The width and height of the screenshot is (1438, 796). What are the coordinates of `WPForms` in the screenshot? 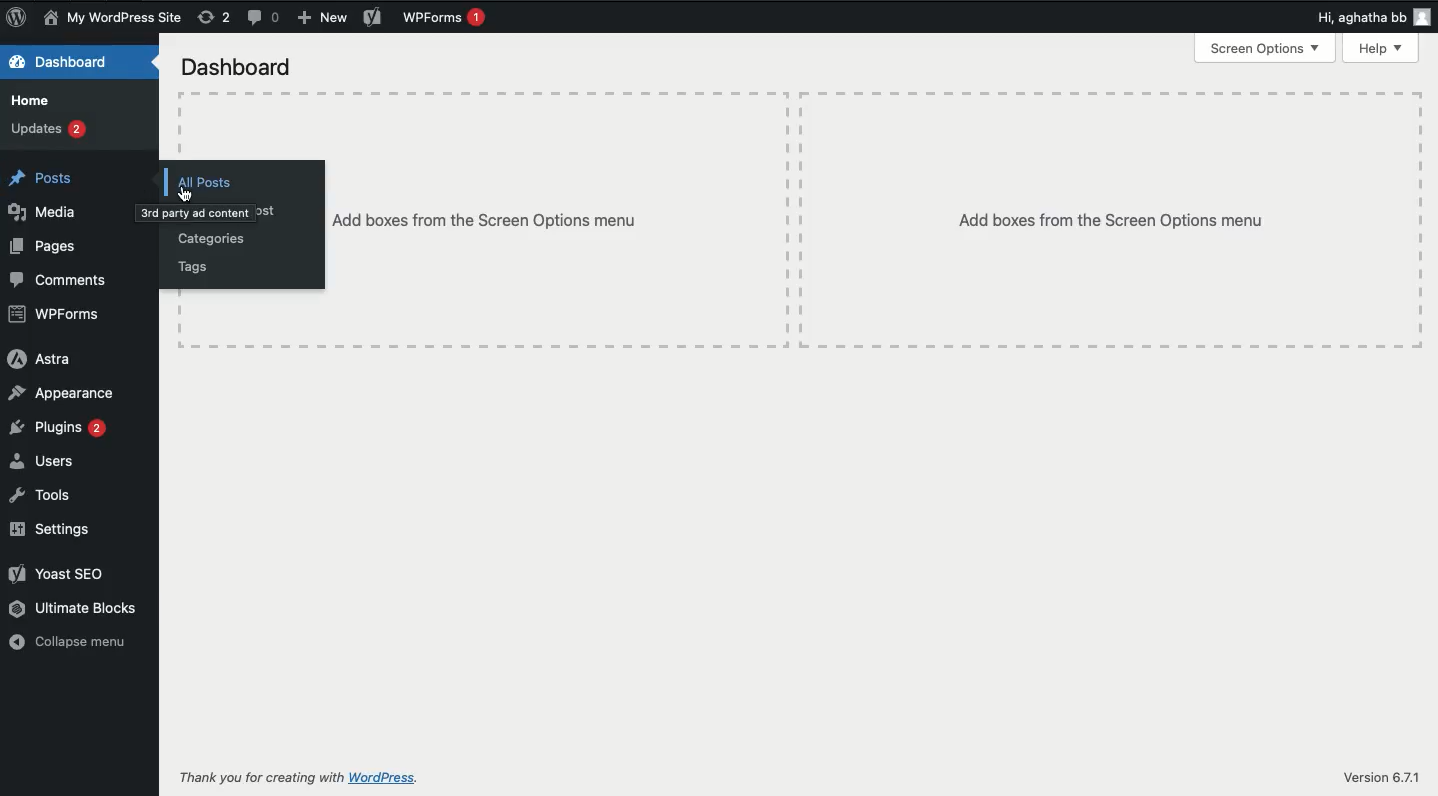 It's located at (445, 19).